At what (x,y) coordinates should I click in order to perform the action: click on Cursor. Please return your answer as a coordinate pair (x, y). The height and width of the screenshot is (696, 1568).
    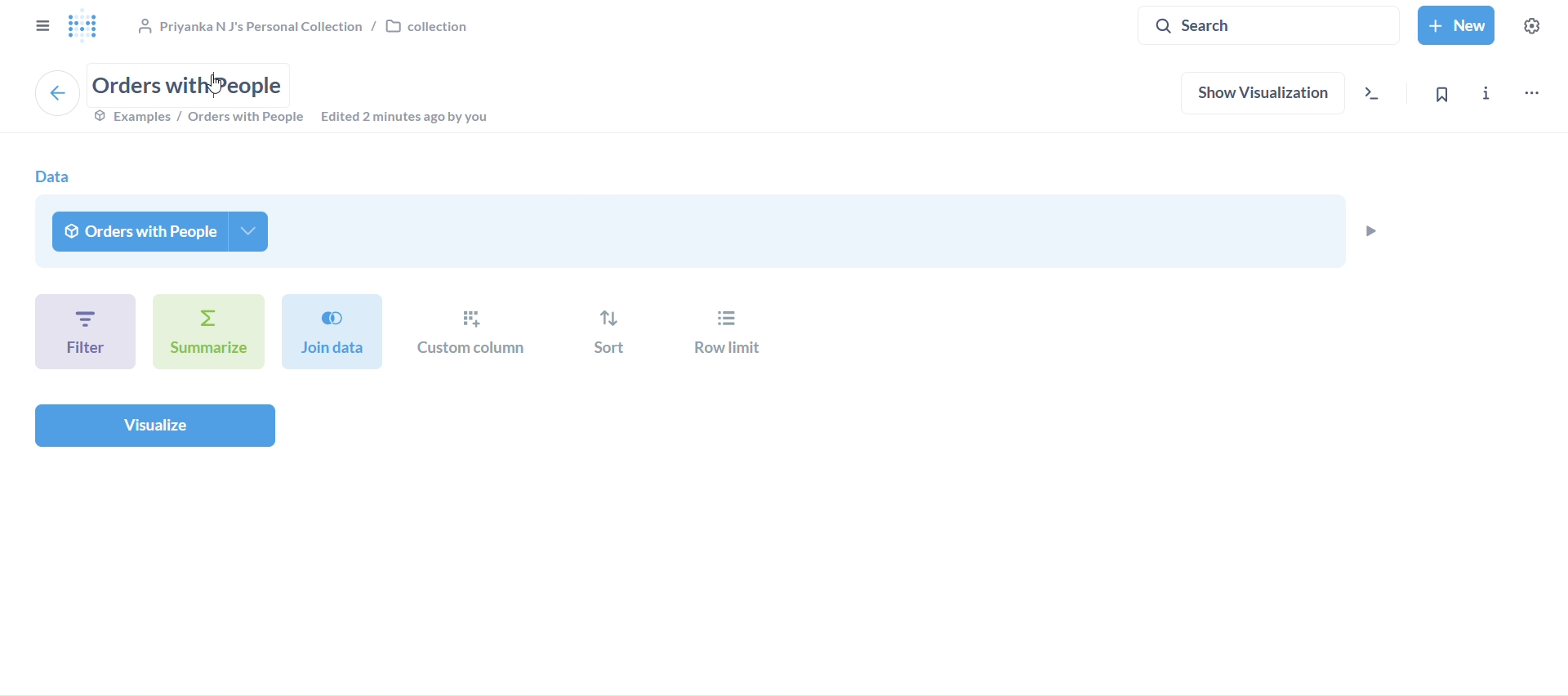
    Looking at the image, I should click on (212, 87).